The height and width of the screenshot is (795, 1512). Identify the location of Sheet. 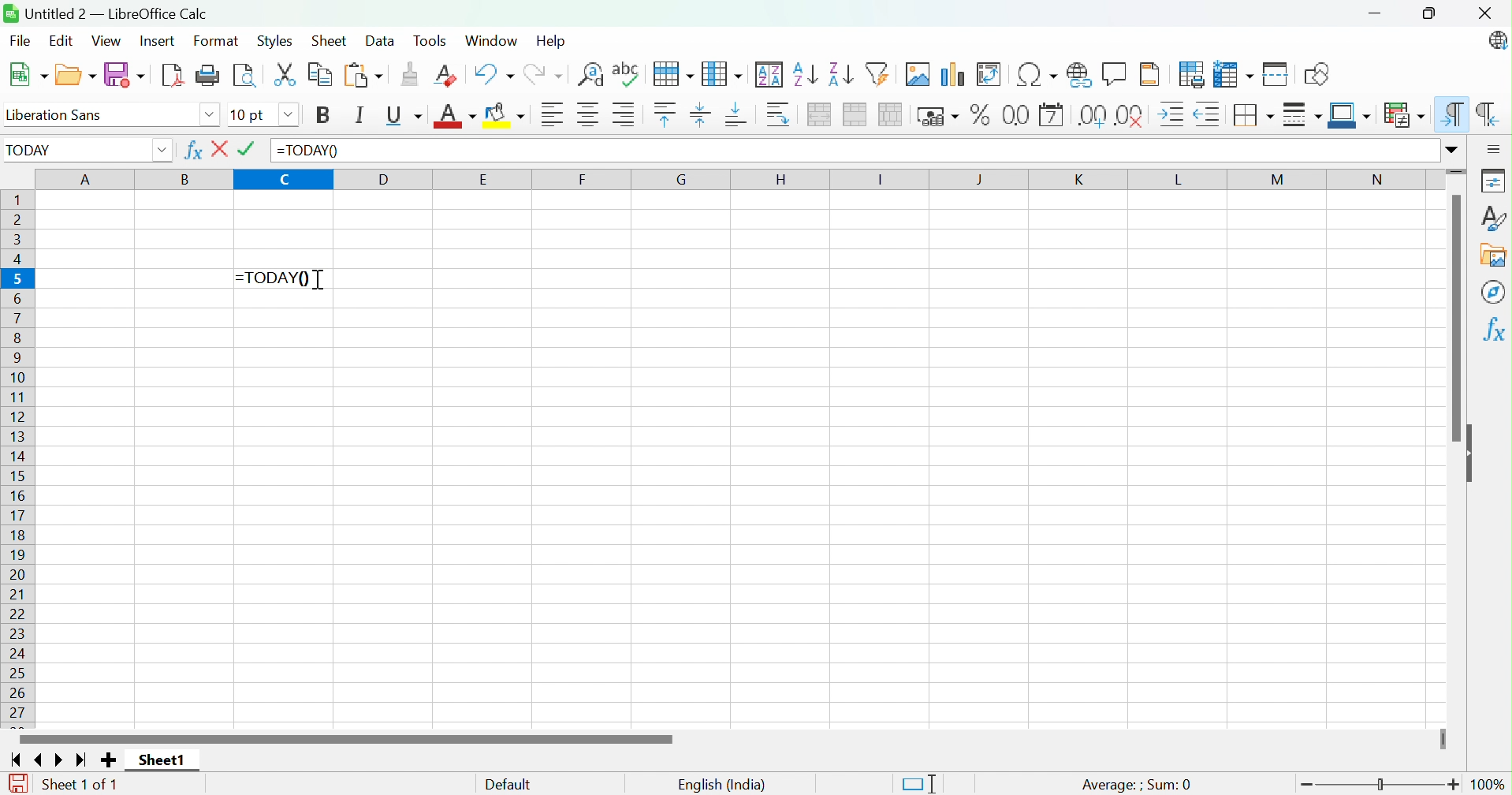
(328, 40).